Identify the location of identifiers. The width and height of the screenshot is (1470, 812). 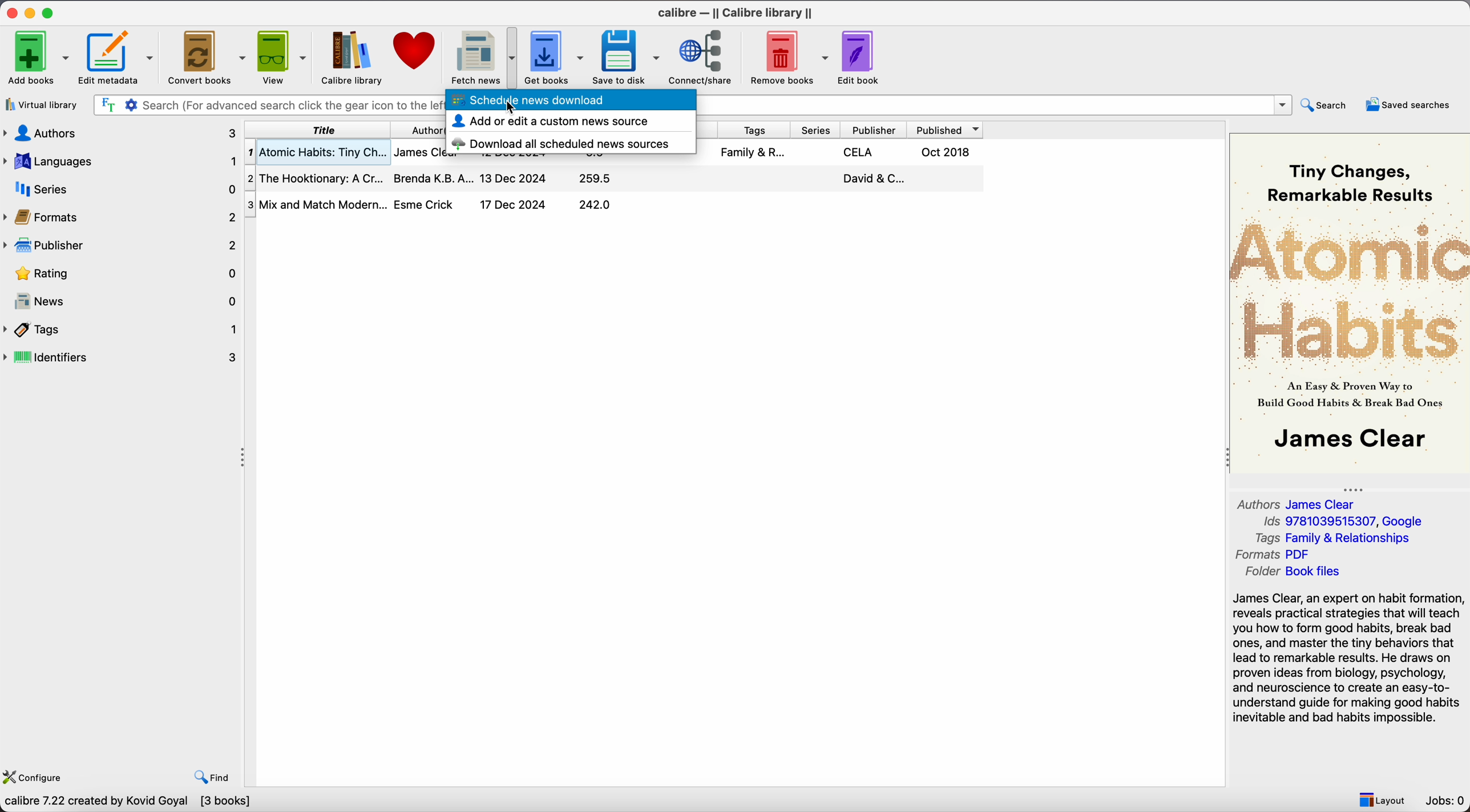
(122, 358).